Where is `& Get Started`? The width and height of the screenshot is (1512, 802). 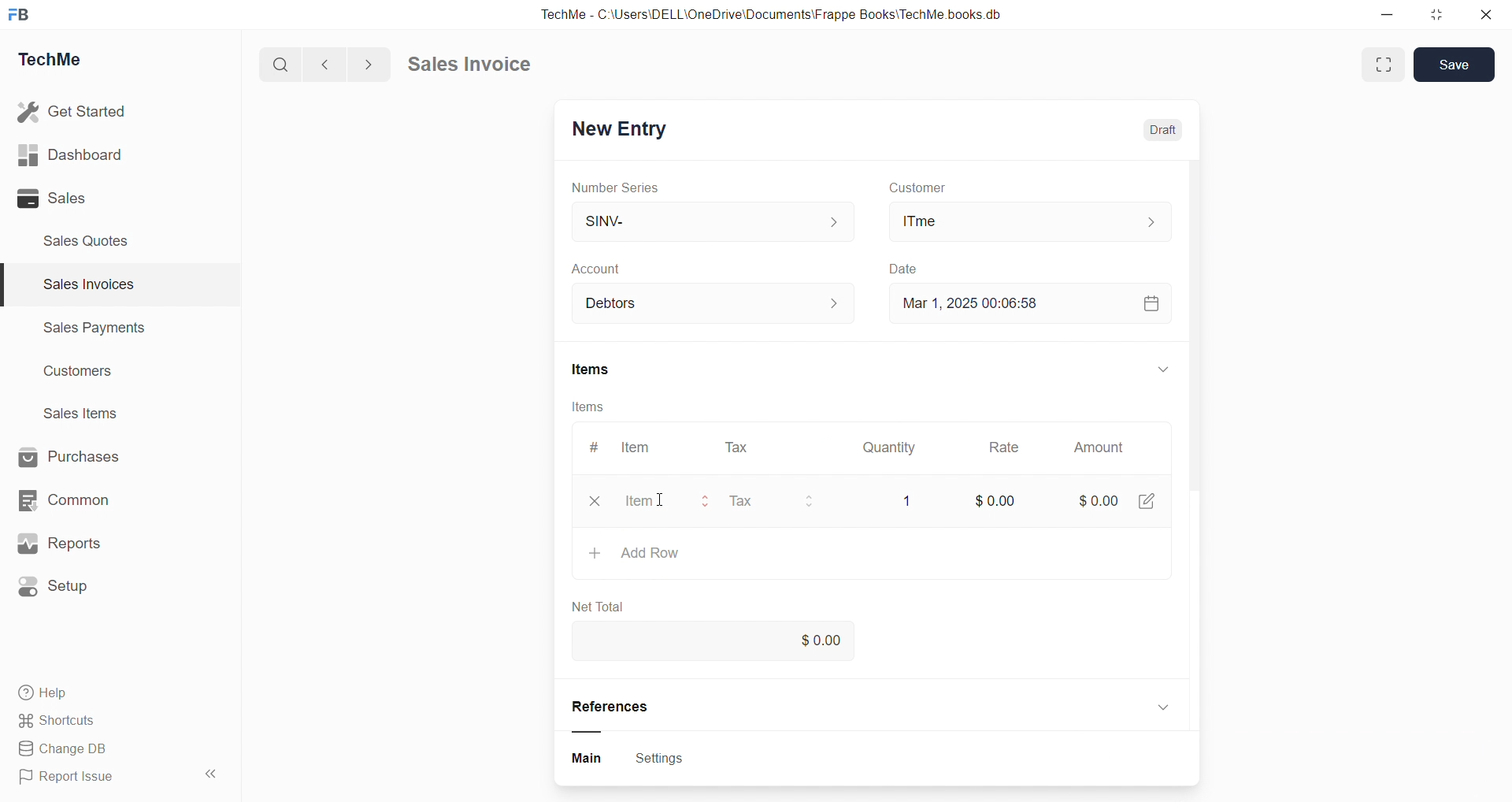
& Get Started is located at coordinates (74, 110).